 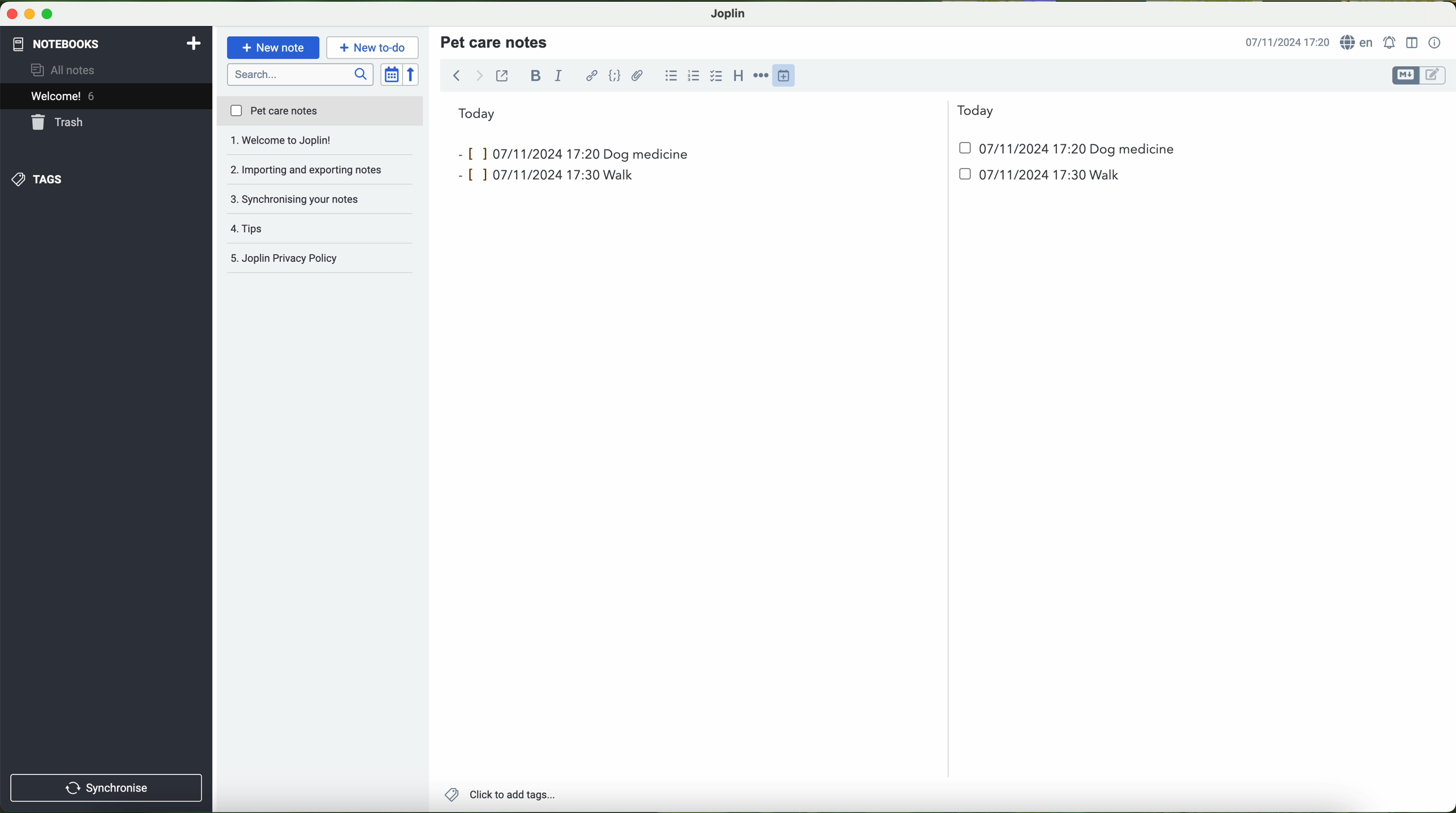 I want to click on Joplin, so click(x=729, y=12).